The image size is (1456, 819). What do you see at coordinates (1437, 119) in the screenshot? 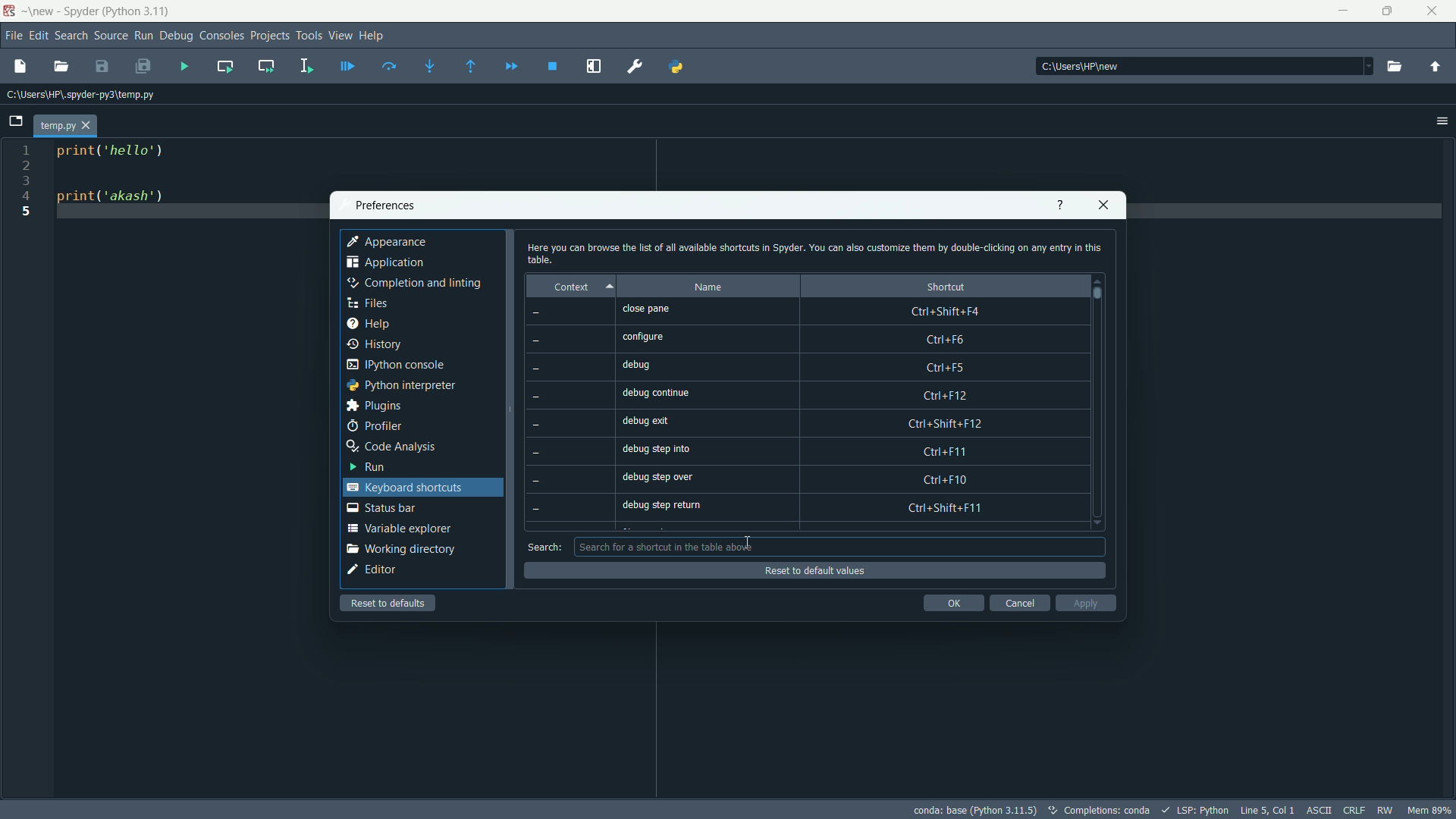
I see `options` at bounding box center [1437, 119].